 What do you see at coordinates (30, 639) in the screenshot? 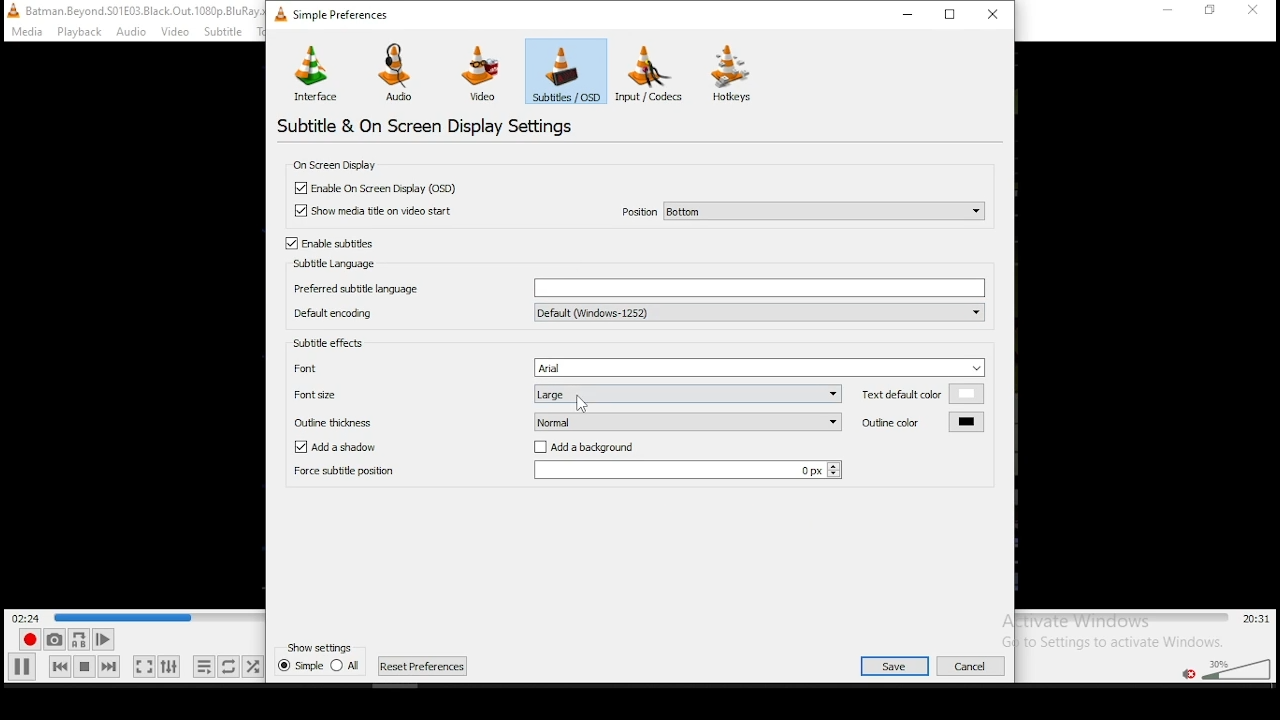
I see `record` at bounding box center [30, 639].